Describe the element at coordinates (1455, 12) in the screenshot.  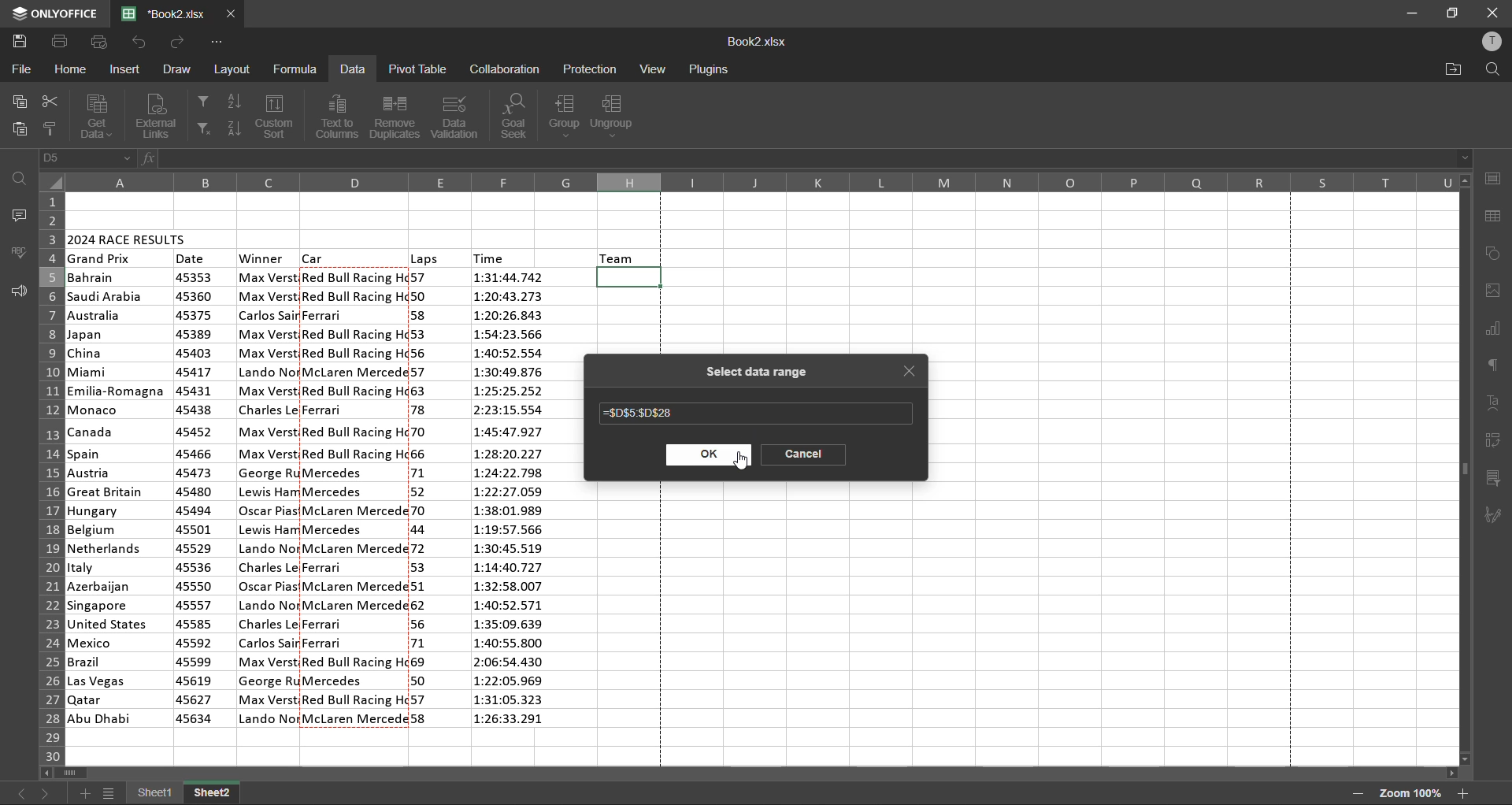
I see `maximize` at that location.